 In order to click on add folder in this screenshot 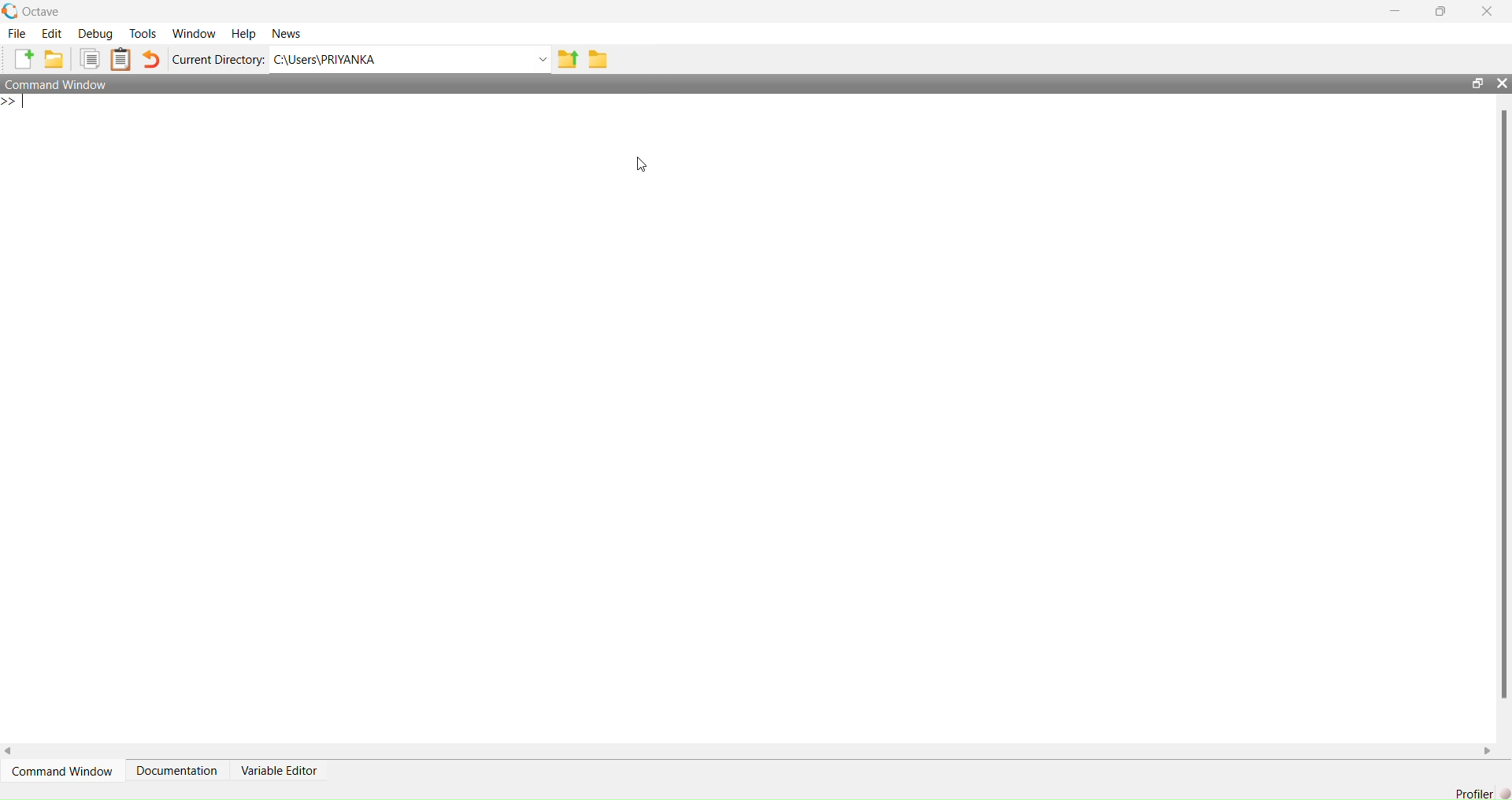, I will do `click(54, 58)`.